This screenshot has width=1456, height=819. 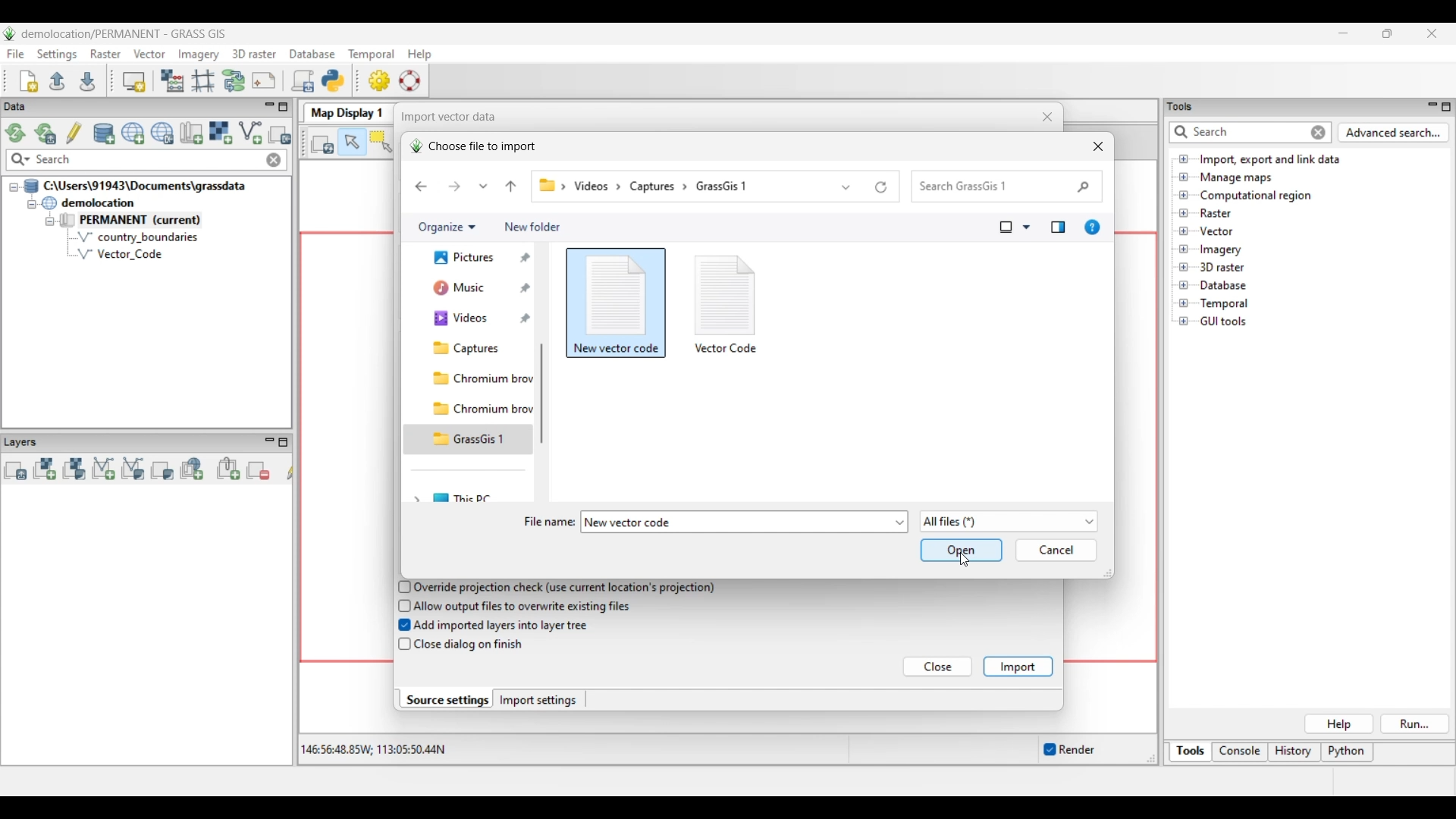 What do you see at coordinates (965, 559) in the screenshot?
I see `Cursor clicking on saving and opening selected file` at bounding box center [965, 559].